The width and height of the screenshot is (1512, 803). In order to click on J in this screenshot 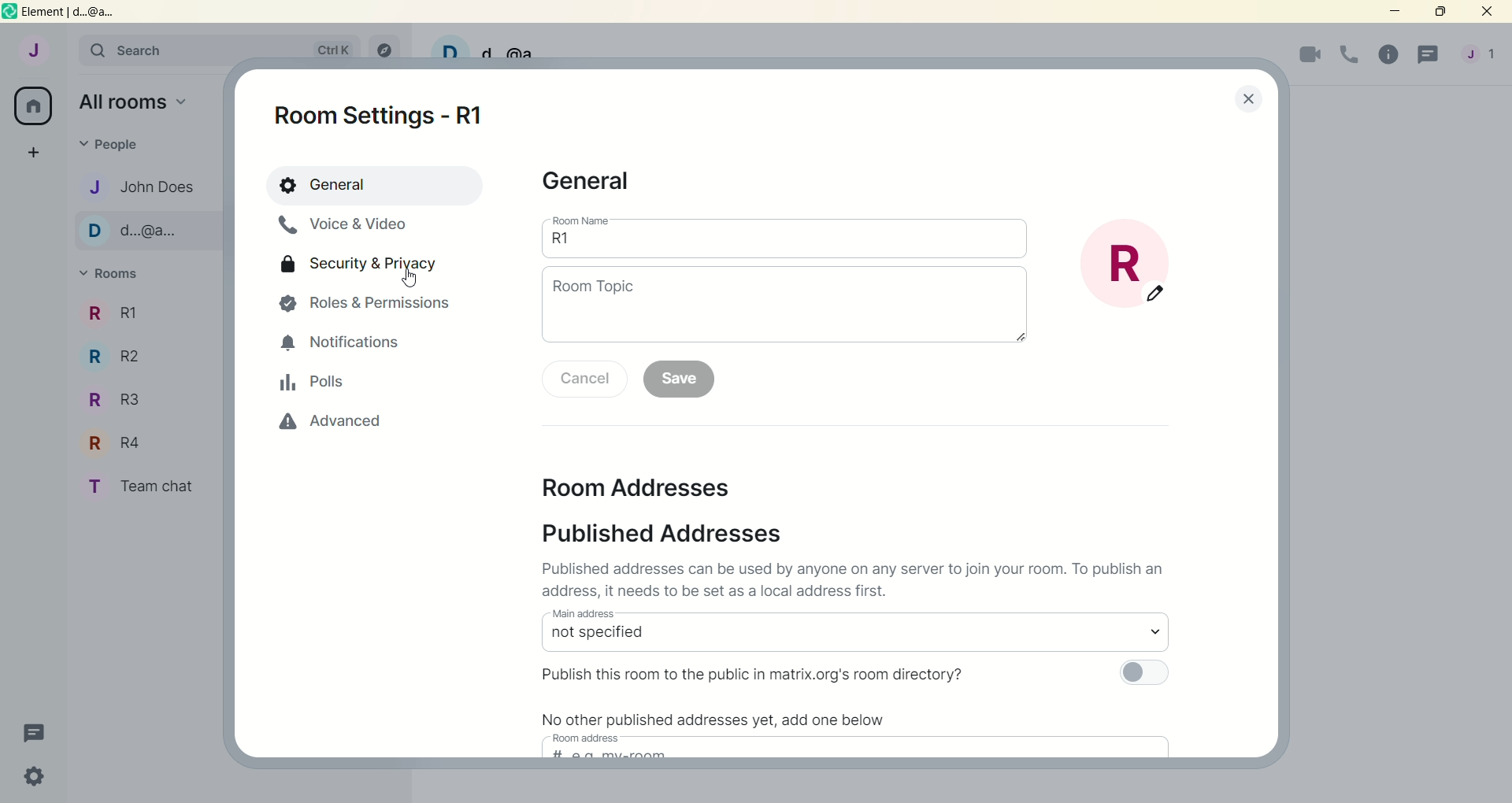, I will do `click(31, 50)`.